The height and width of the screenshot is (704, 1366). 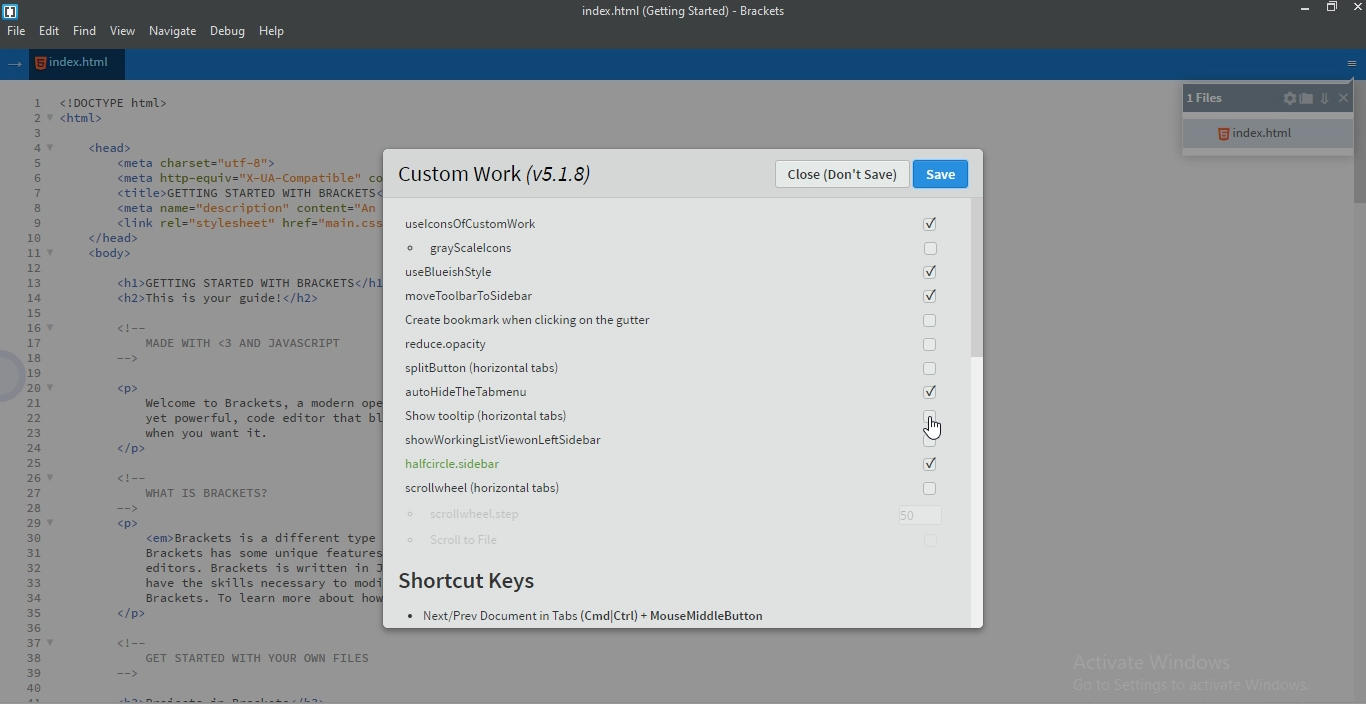 What do you see at coordinates (674, 440) in the screenshot?
I see `showWorkingListViewonLeft Sidebar` at bounding box center [674, 440].